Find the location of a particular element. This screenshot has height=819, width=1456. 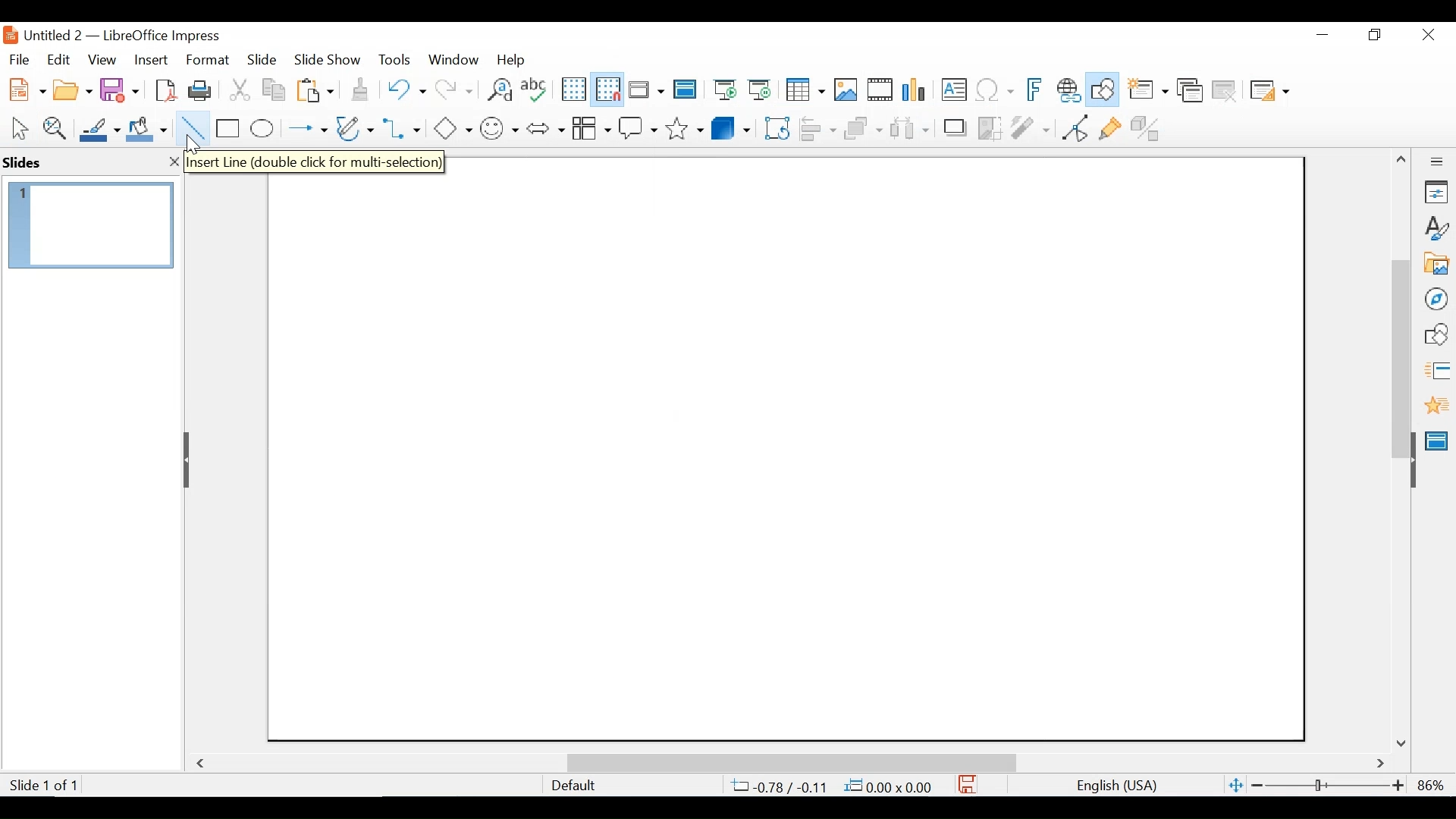

Filter Image is located at coordinates (1030, 127).